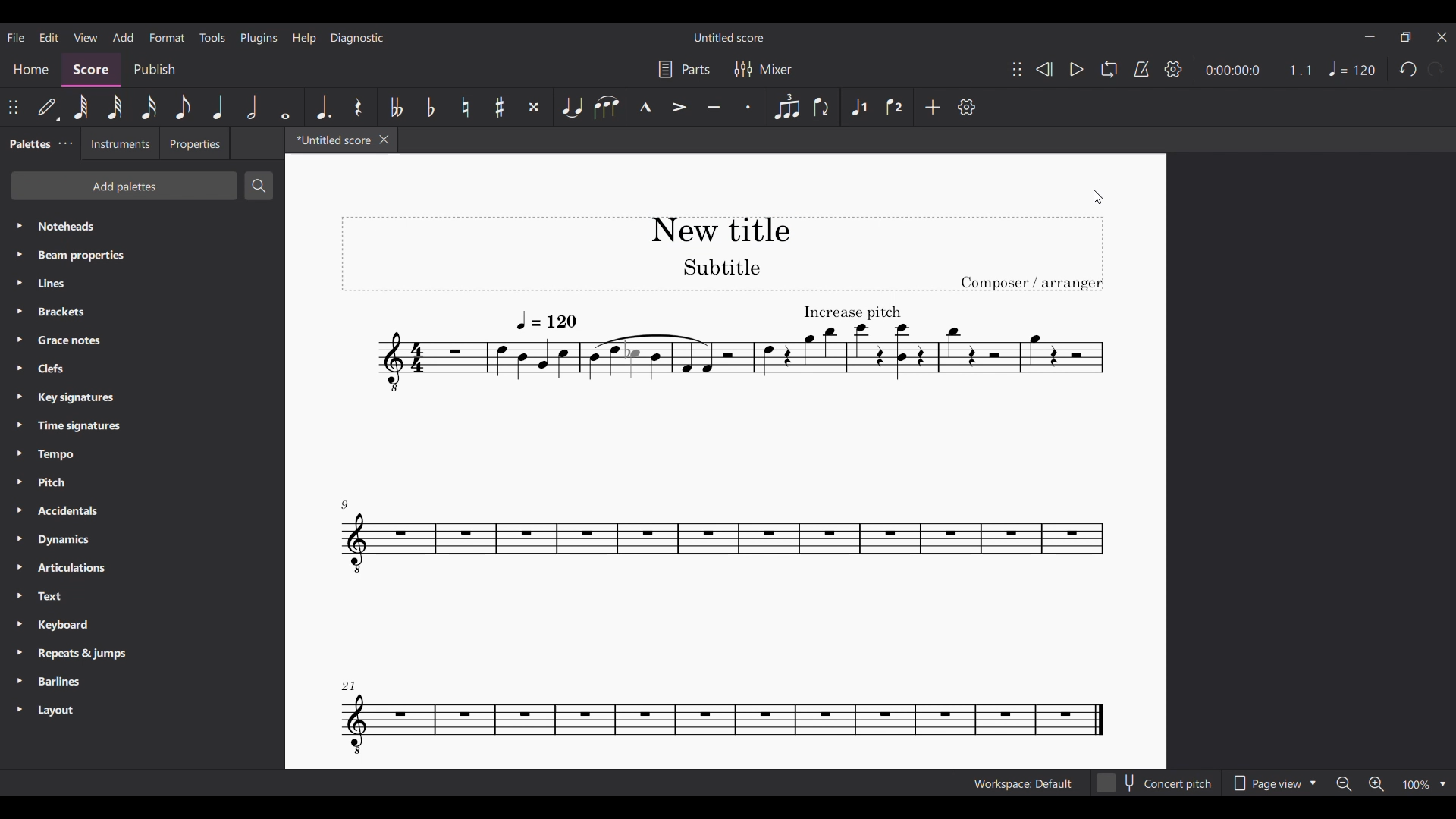 This screenshot has width=1456, height=819. Describe the element at coordinates (66, 143) in the screenshot. I see `Palettes settings` at that location.